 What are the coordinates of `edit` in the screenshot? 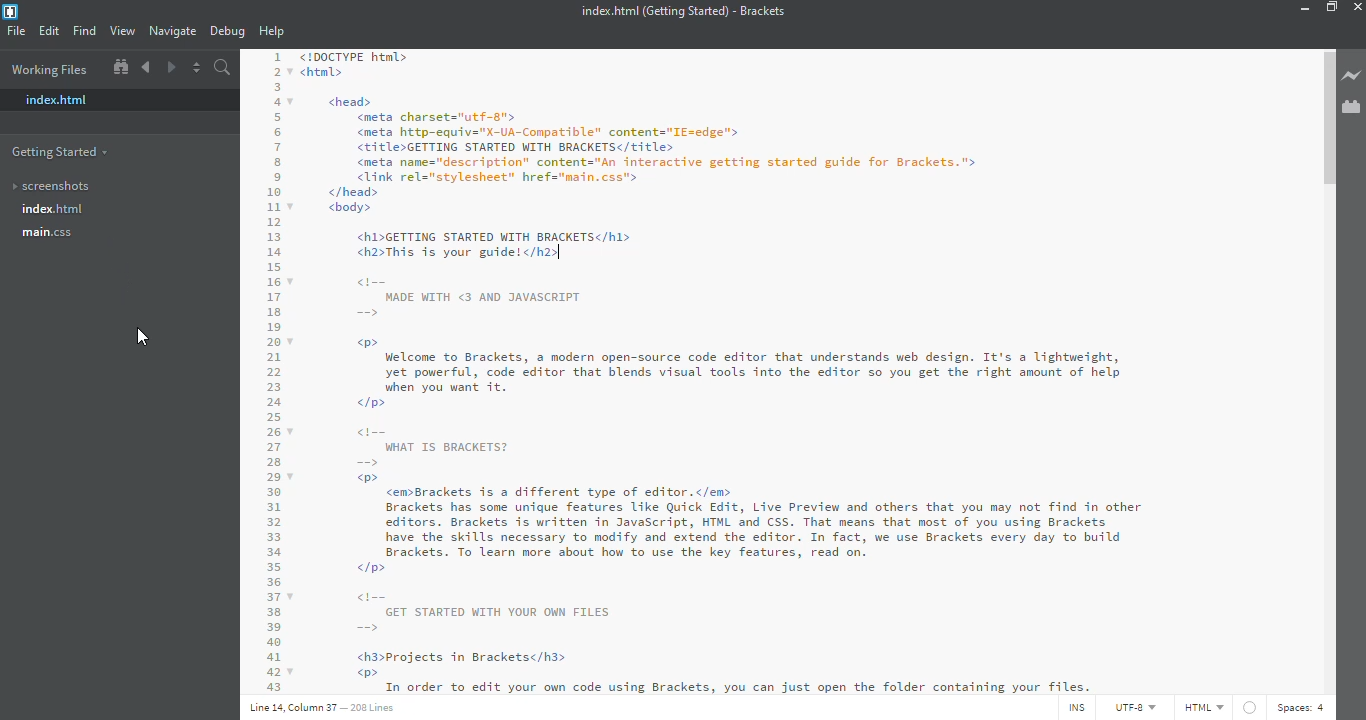 It's located at (48, 30).